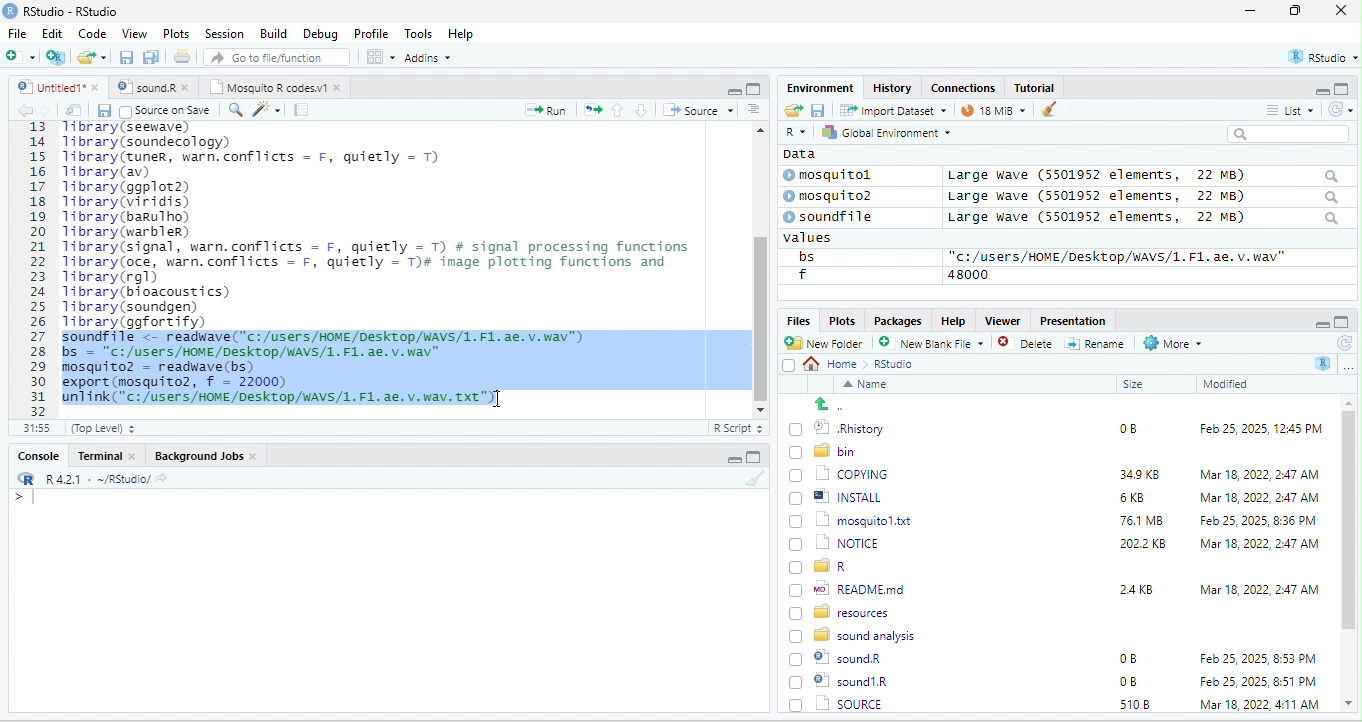 This screenshot has height=722, width=1362. What do you see at coordinates (733, 90) in the screenshot?
I see `minimize` at bounding box center [733, 90].